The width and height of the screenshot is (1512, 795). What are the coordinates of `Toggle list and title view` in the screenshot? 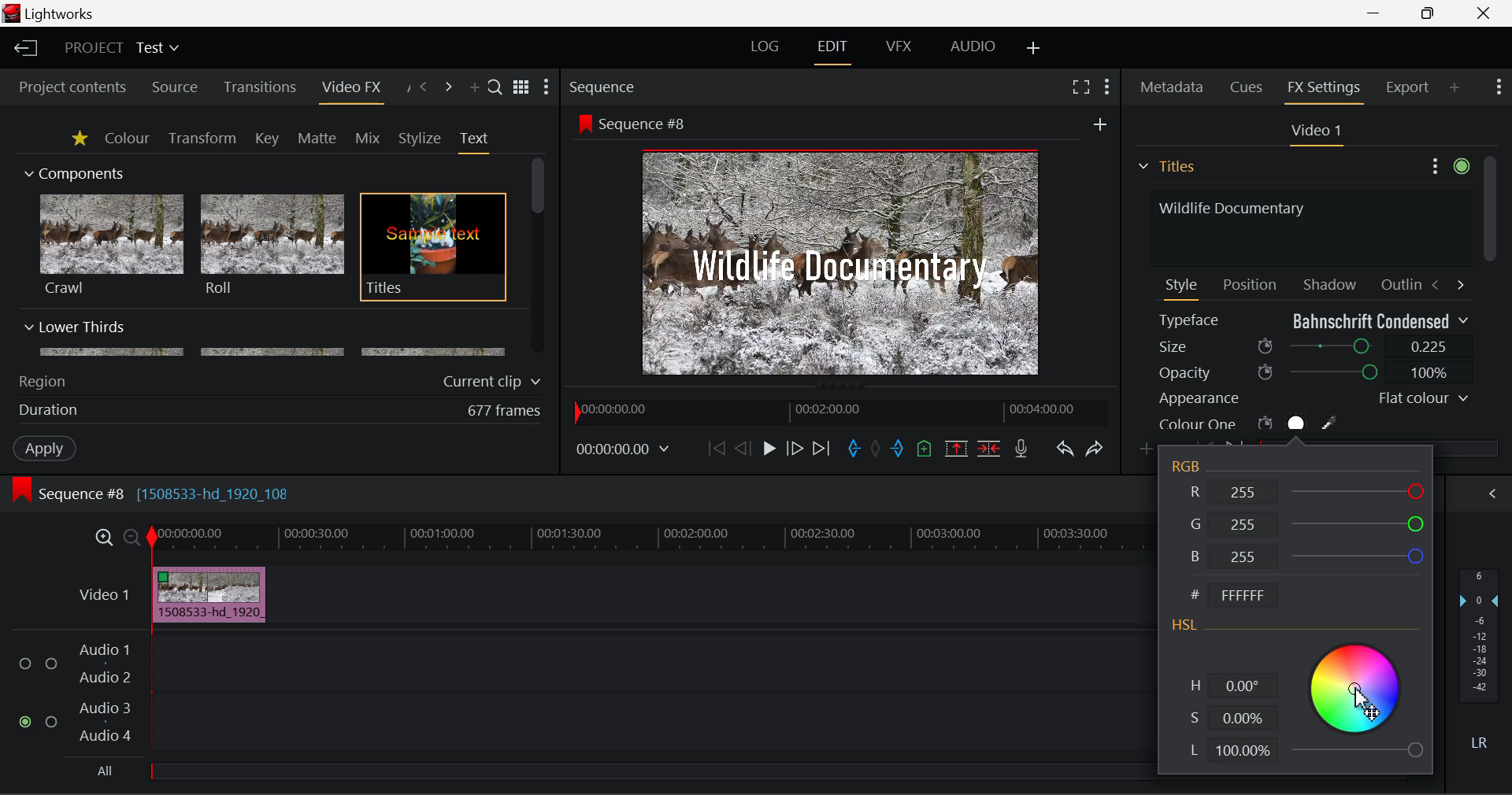 It's located at (523, 87).